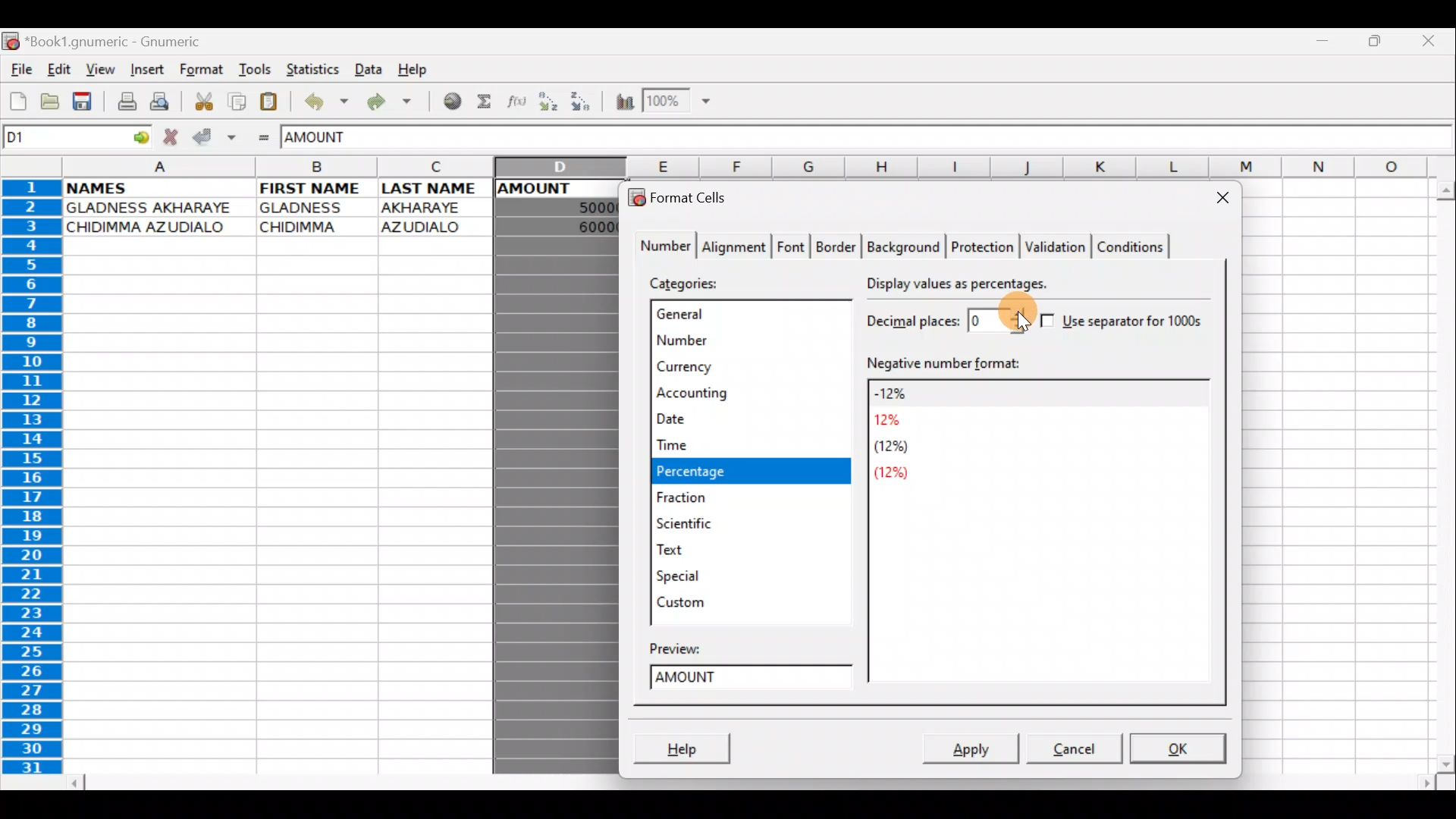  Describe the element at coordinates (419, 71) in the screenshot. I see `Help` at that location.